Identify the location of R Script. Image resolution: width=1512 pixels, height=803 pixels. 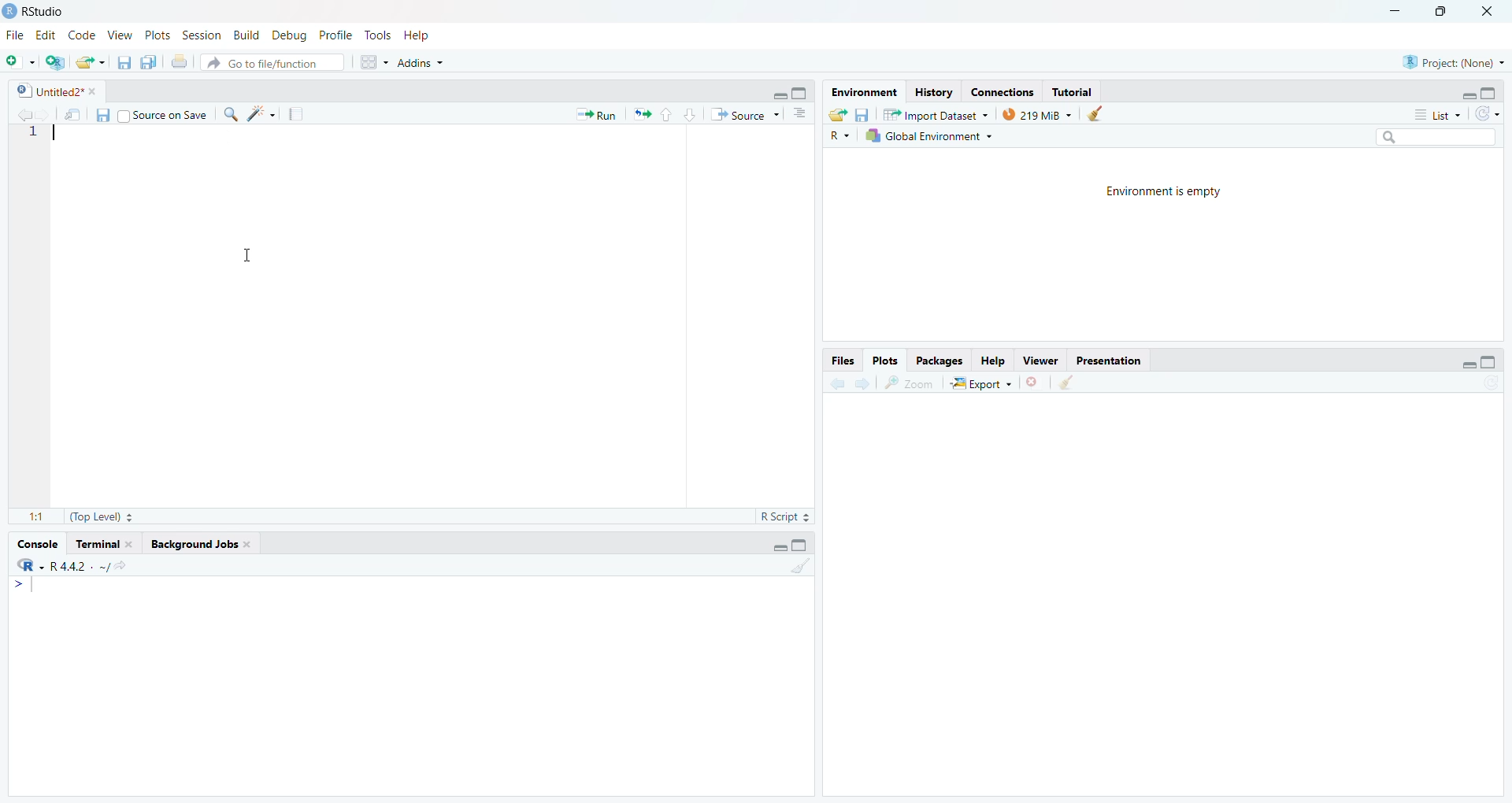
(786, 516).